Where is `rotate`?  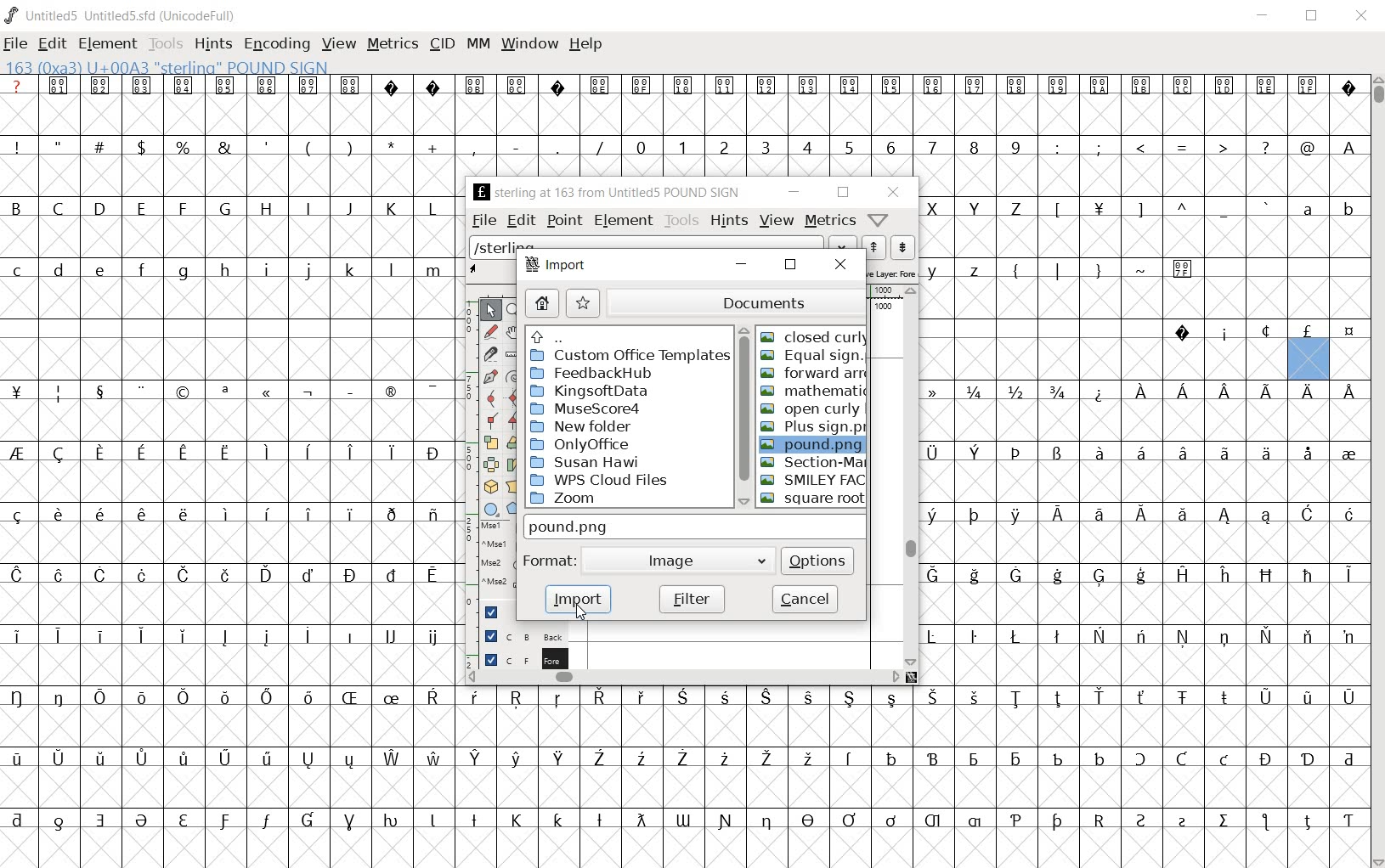 rotate is located at coordinates (513, 442).